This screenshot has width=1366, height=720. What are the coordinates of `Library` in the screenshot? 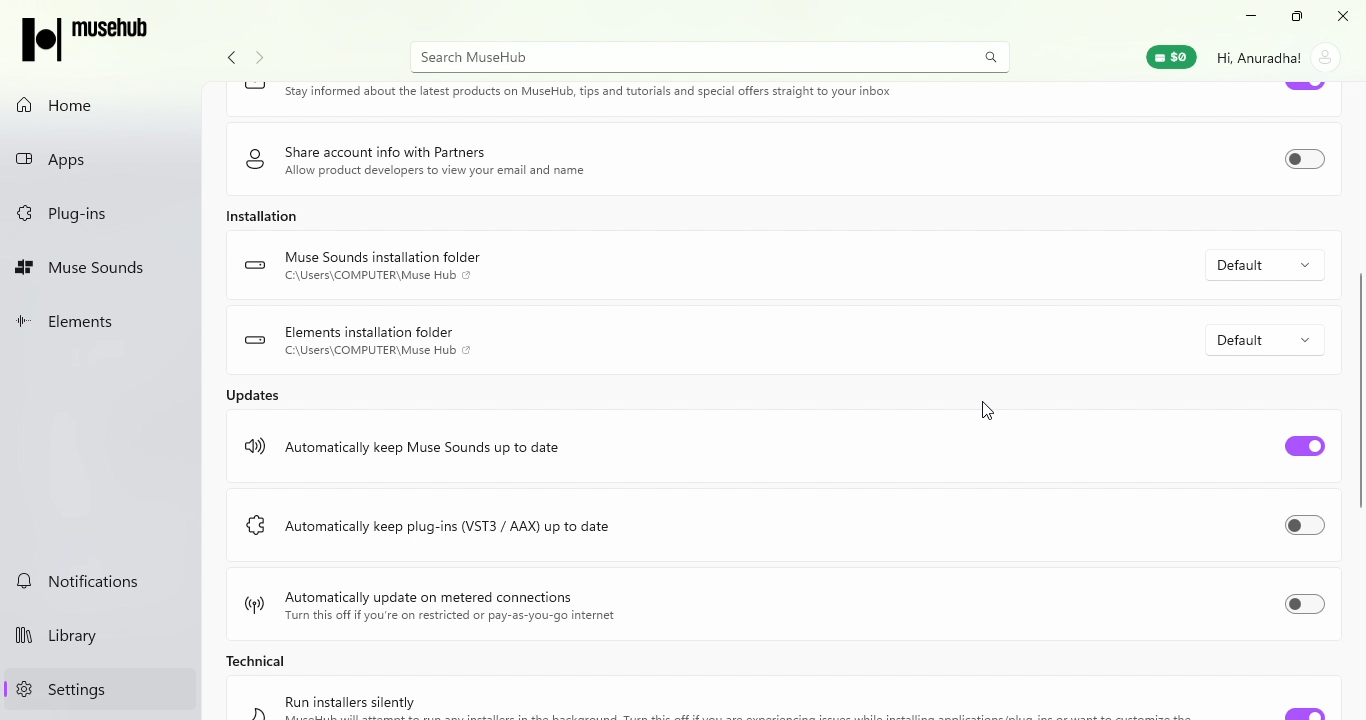 It's located at (102, 637).